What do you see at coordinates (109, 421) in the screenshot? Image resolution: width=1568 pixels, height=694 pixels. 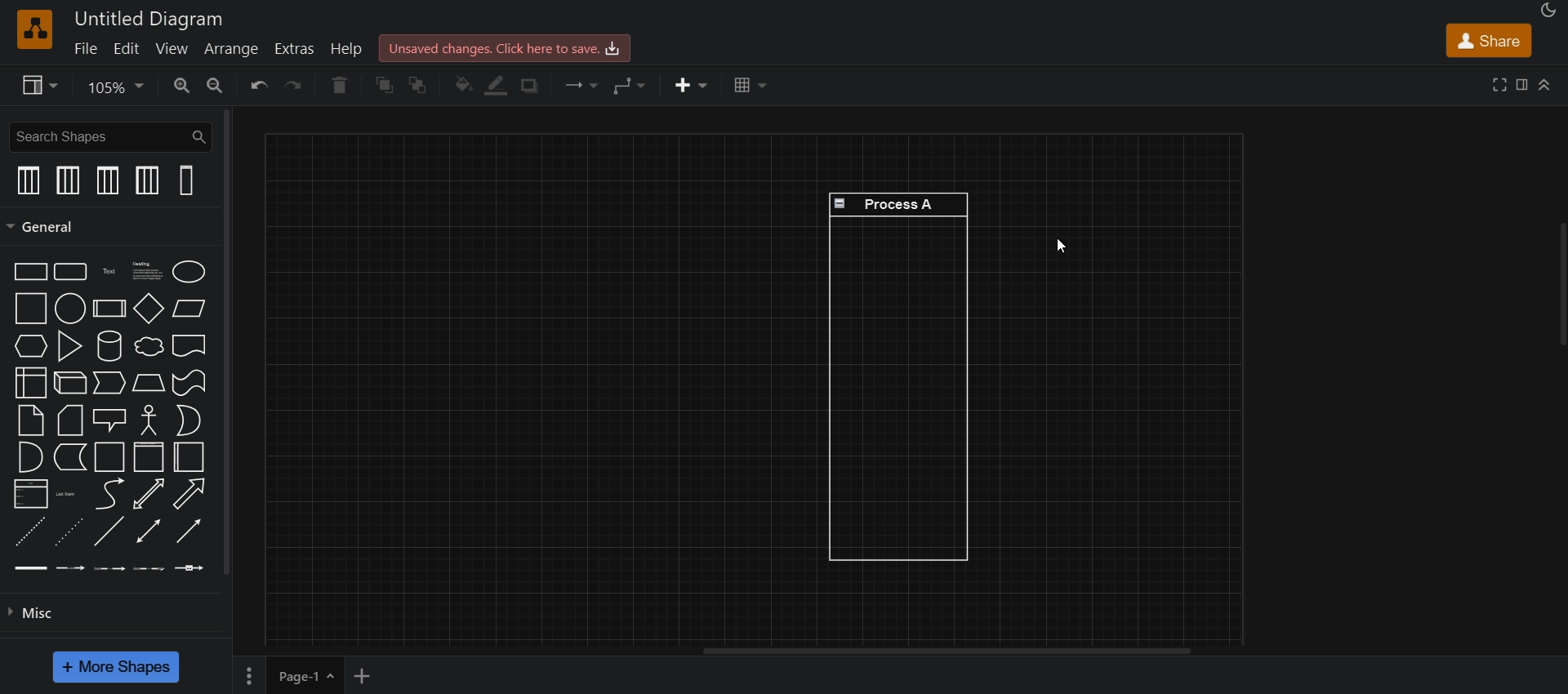 I see `callout` at bounding box center [109, 421].